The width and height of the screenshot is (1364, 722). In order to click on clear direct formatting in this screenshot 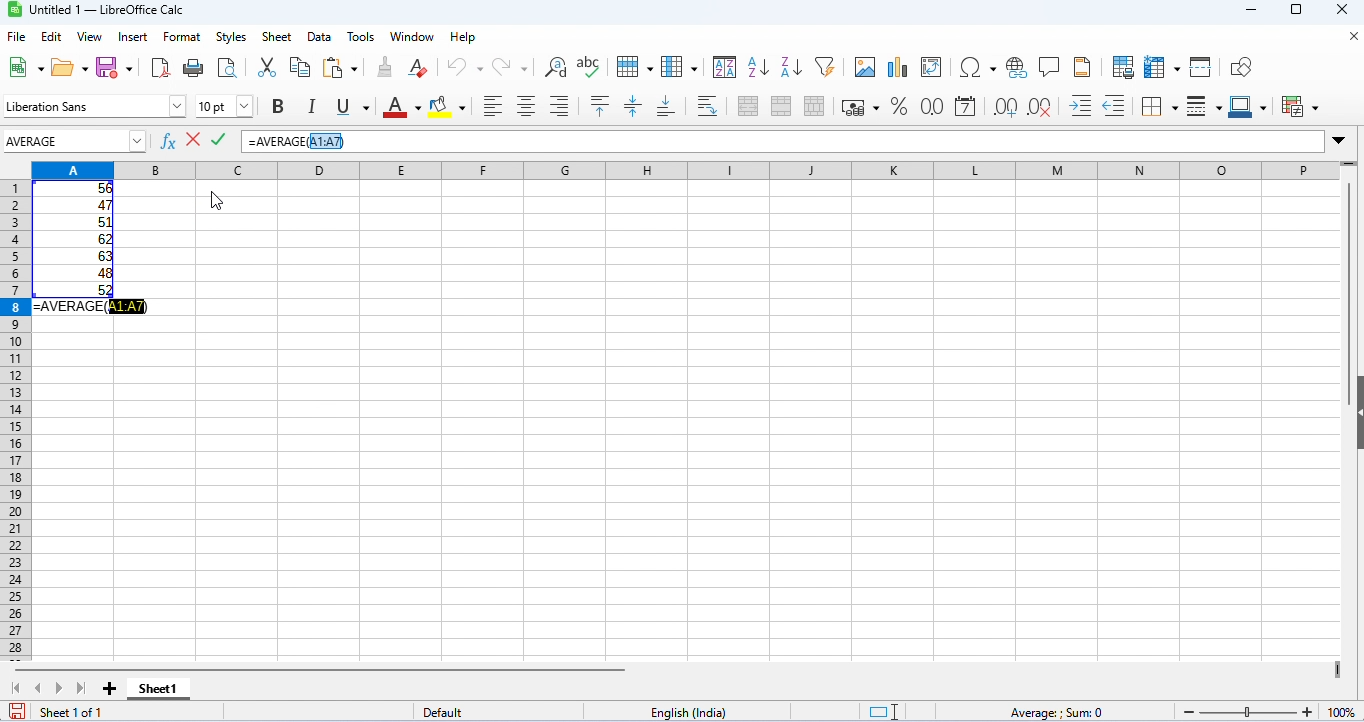, I will do `click(419, 68)`.